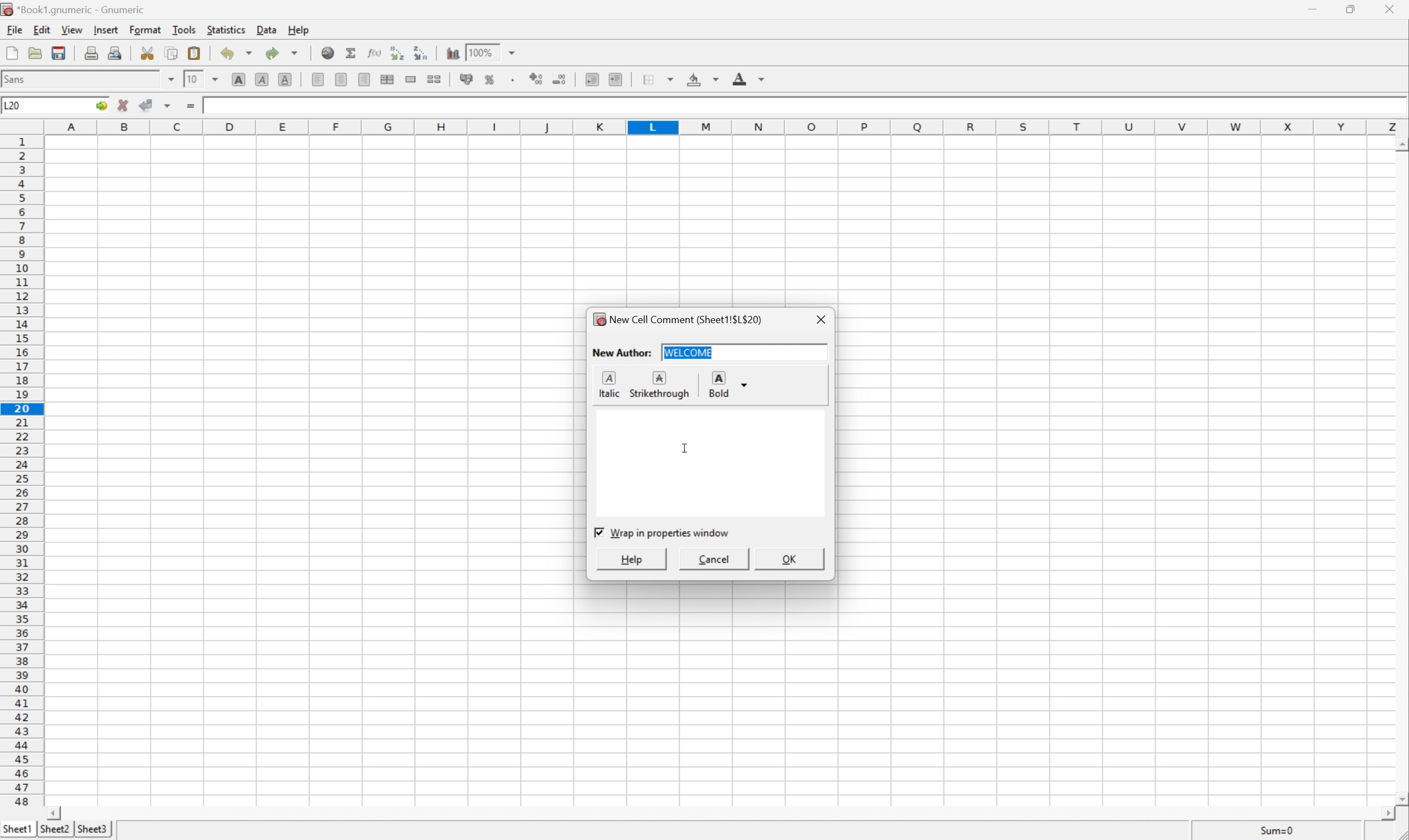 The height and width of the screenshot is (840, 1409). What do you see at coordinates (54, 829) in the screenshot?
I see `Sheet3` at bounding box center [54, 829].